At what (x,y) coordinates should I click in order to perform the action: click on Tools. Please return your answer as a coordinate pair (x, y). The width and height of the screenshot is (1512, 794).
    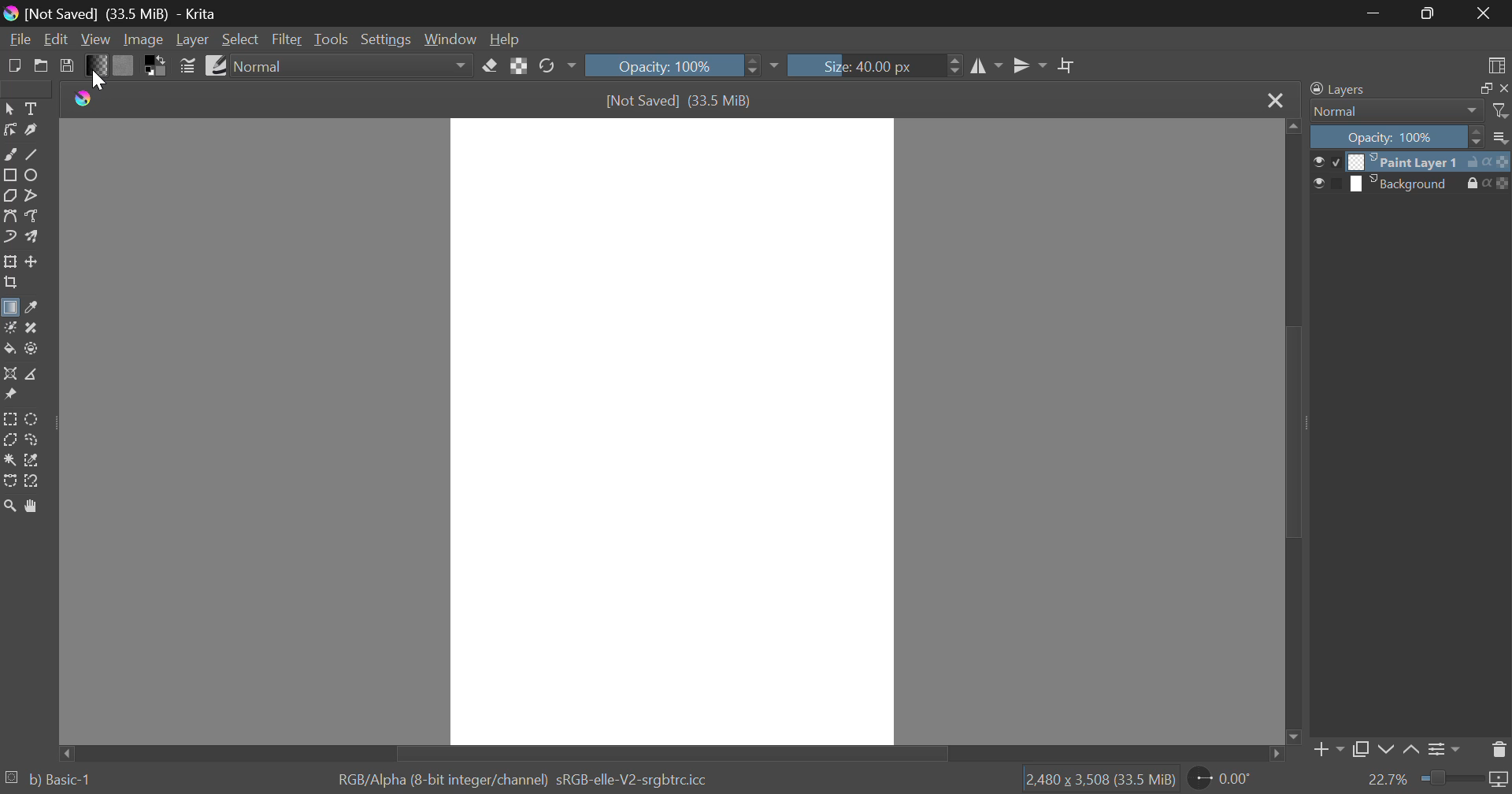
    Looking at the image, I should click on (331, 39).